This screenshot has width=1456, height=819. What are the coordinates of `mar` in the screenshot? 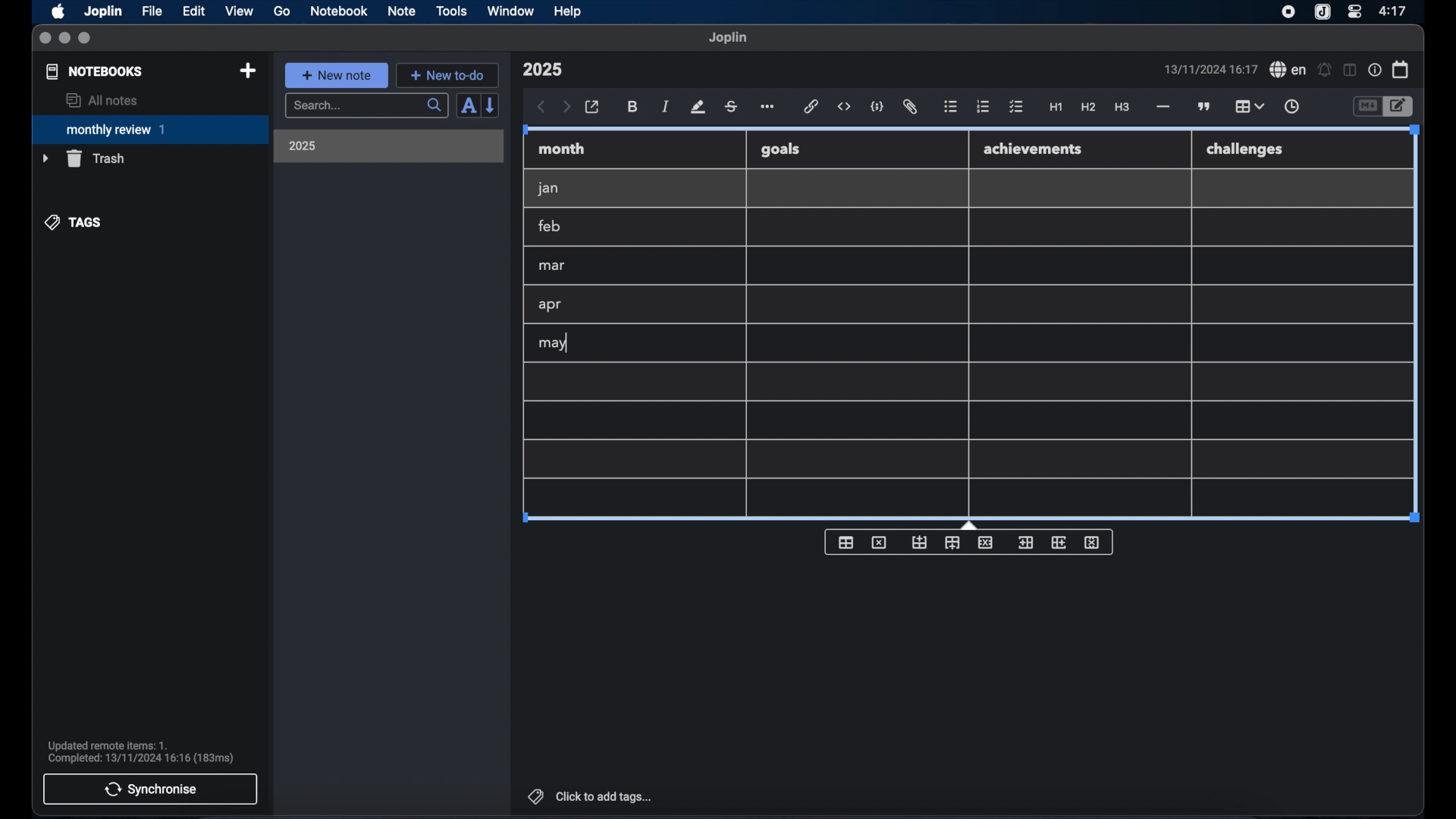 It's located at (553, 266).